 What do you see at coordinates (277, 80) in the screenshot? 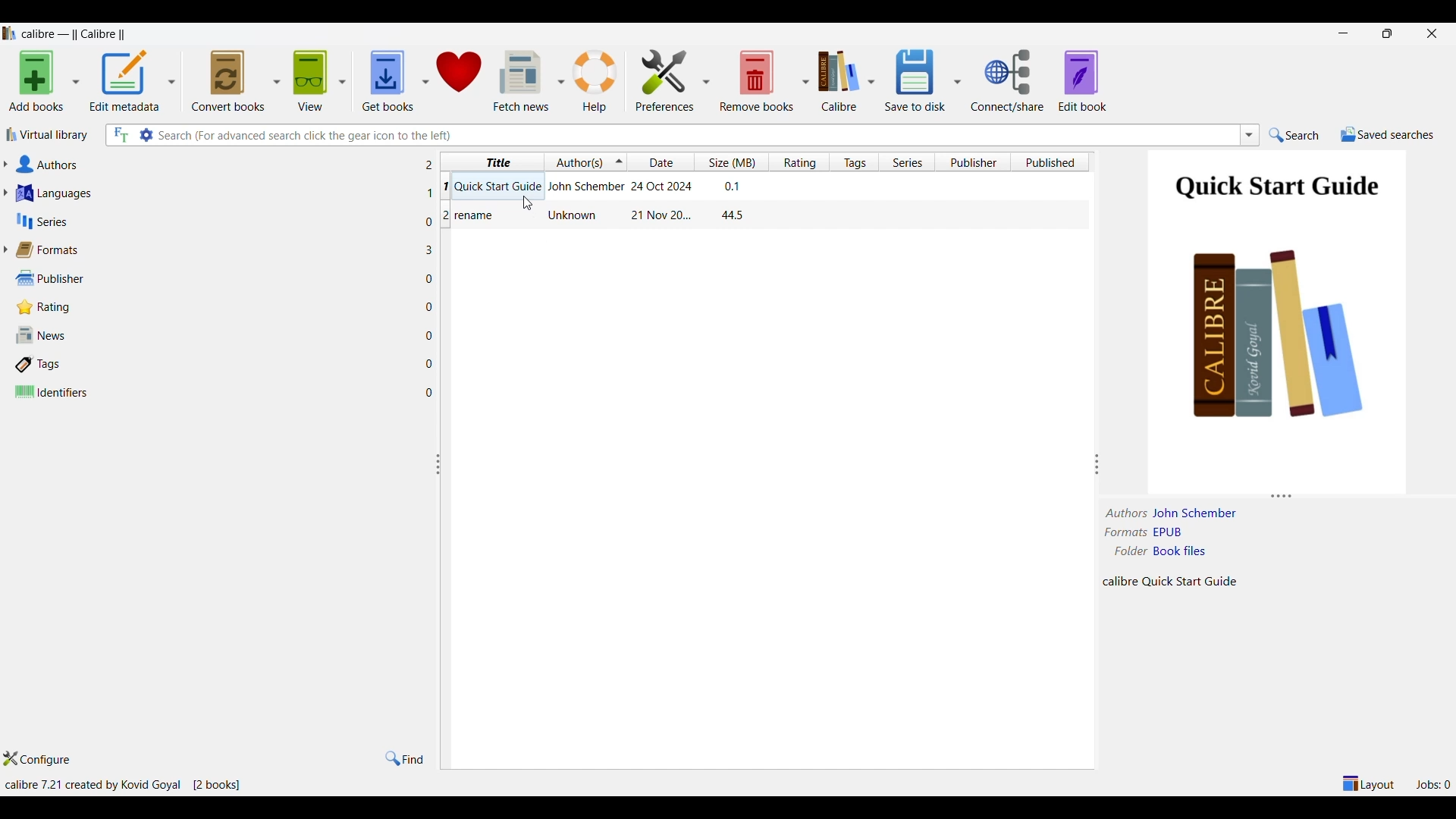
I see `Convert book options` at bounding box center [277, 80].